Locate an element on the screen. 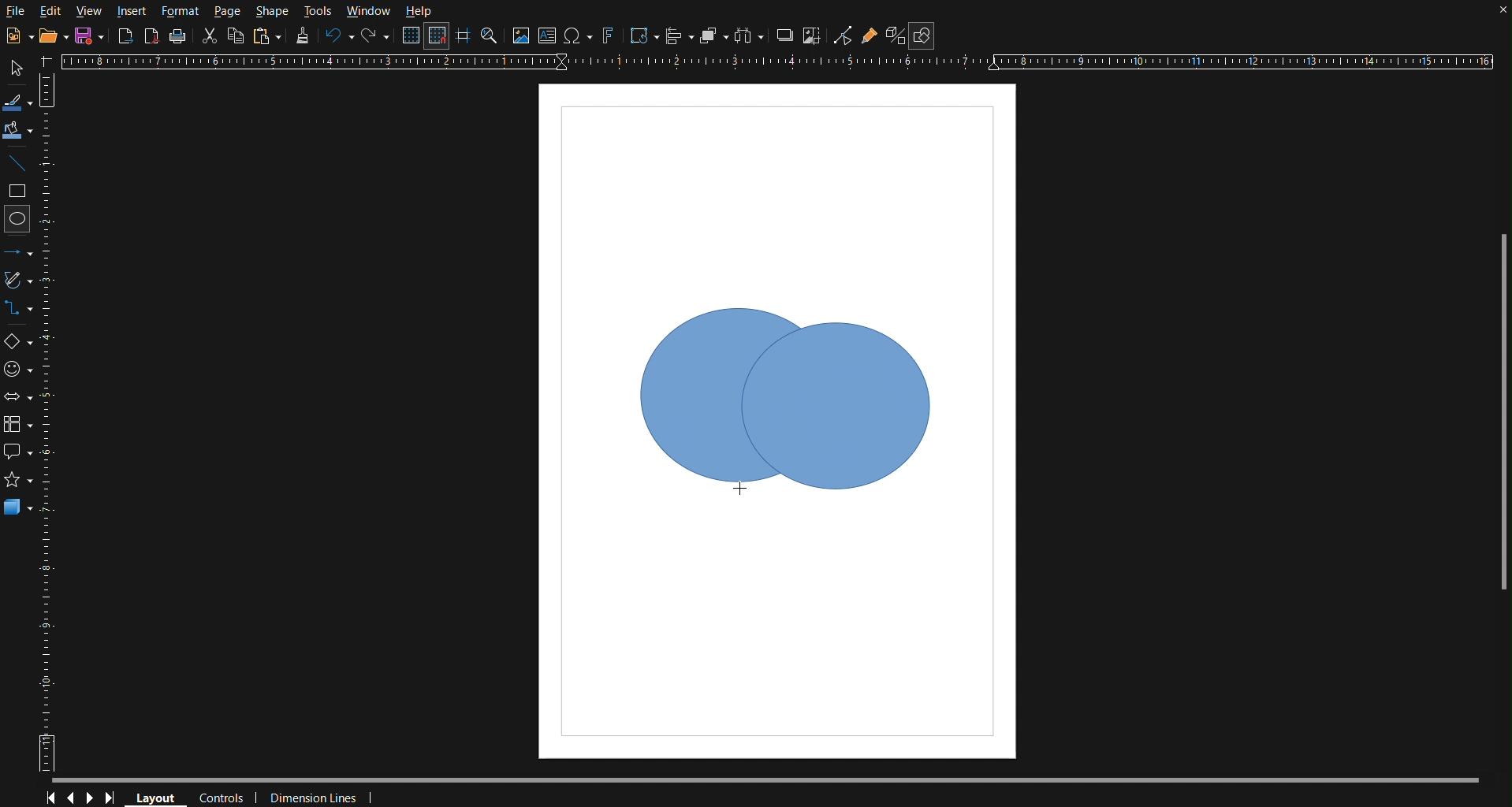 Image resolution: width=1512 pixels, height=807 pixels. Line is located at coordinates (20, 164).